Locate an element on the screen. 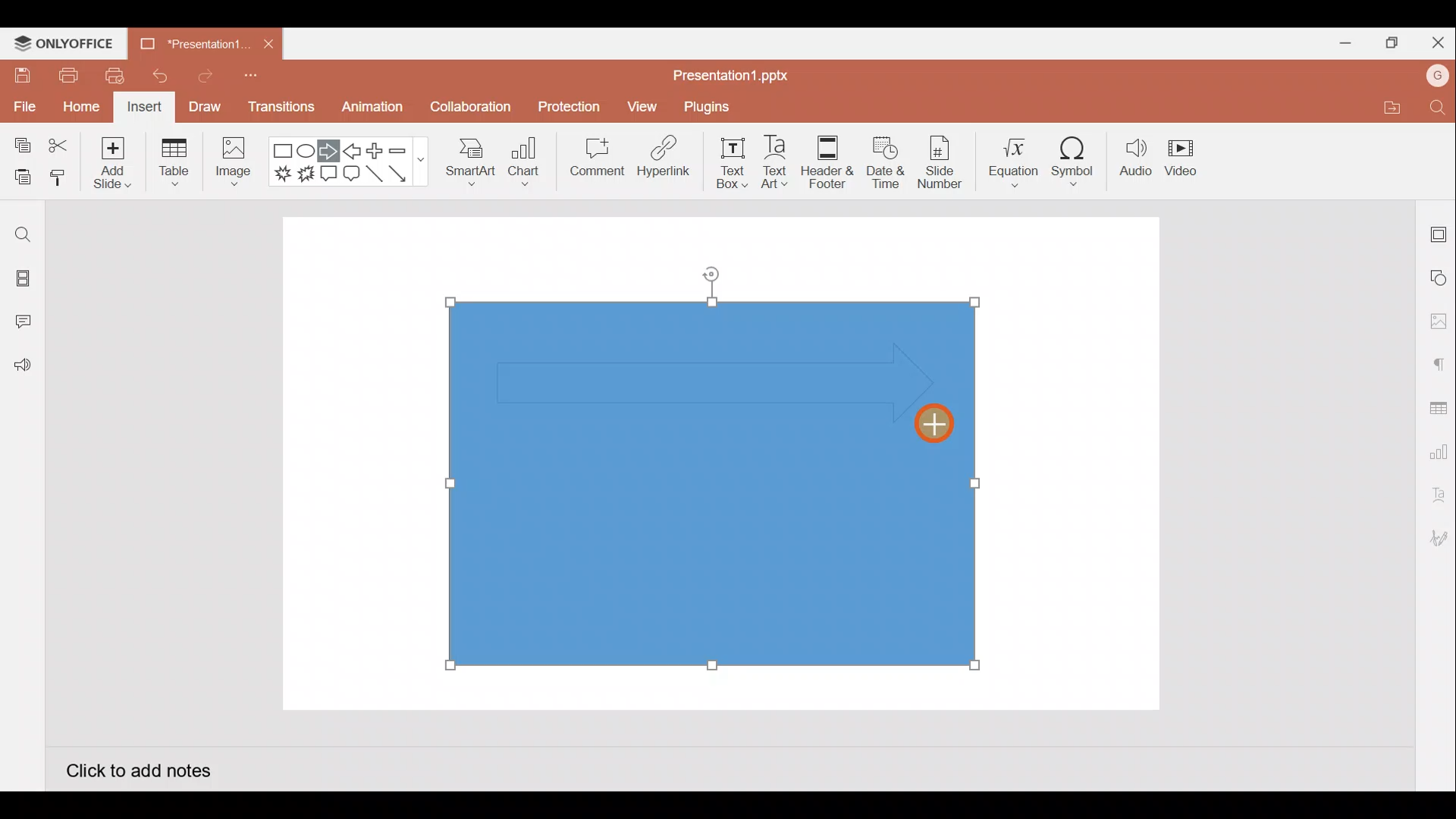  Right arrow is located at coordinates (328, 152).